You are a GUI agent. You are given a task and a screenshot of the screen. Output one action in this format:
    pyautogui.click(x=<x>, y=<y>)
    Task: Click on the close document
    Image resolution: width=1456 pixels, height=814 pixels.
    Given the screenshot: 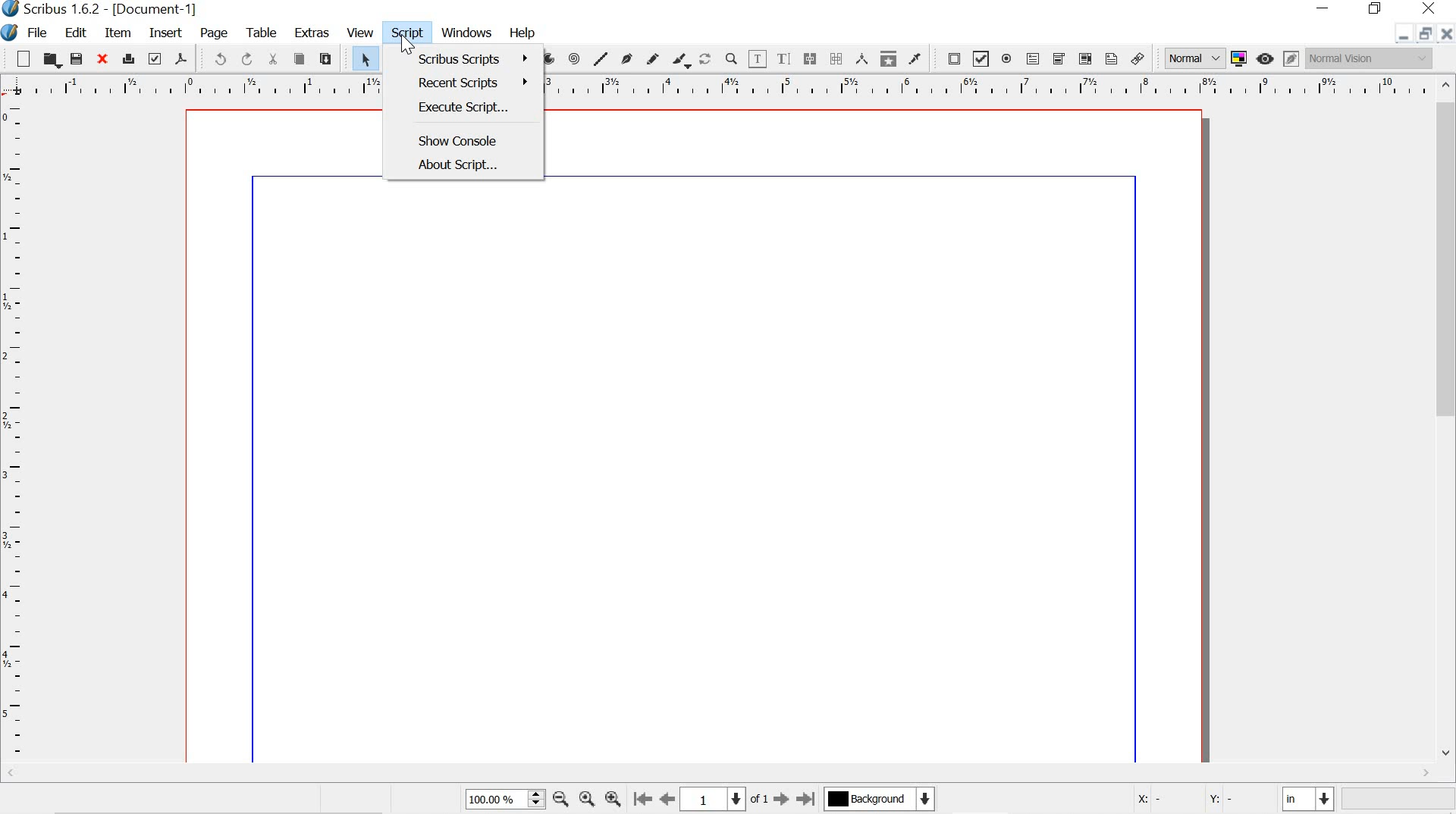 What is the action you would take?
    pyautogui.click(x=1447, y=33)
    